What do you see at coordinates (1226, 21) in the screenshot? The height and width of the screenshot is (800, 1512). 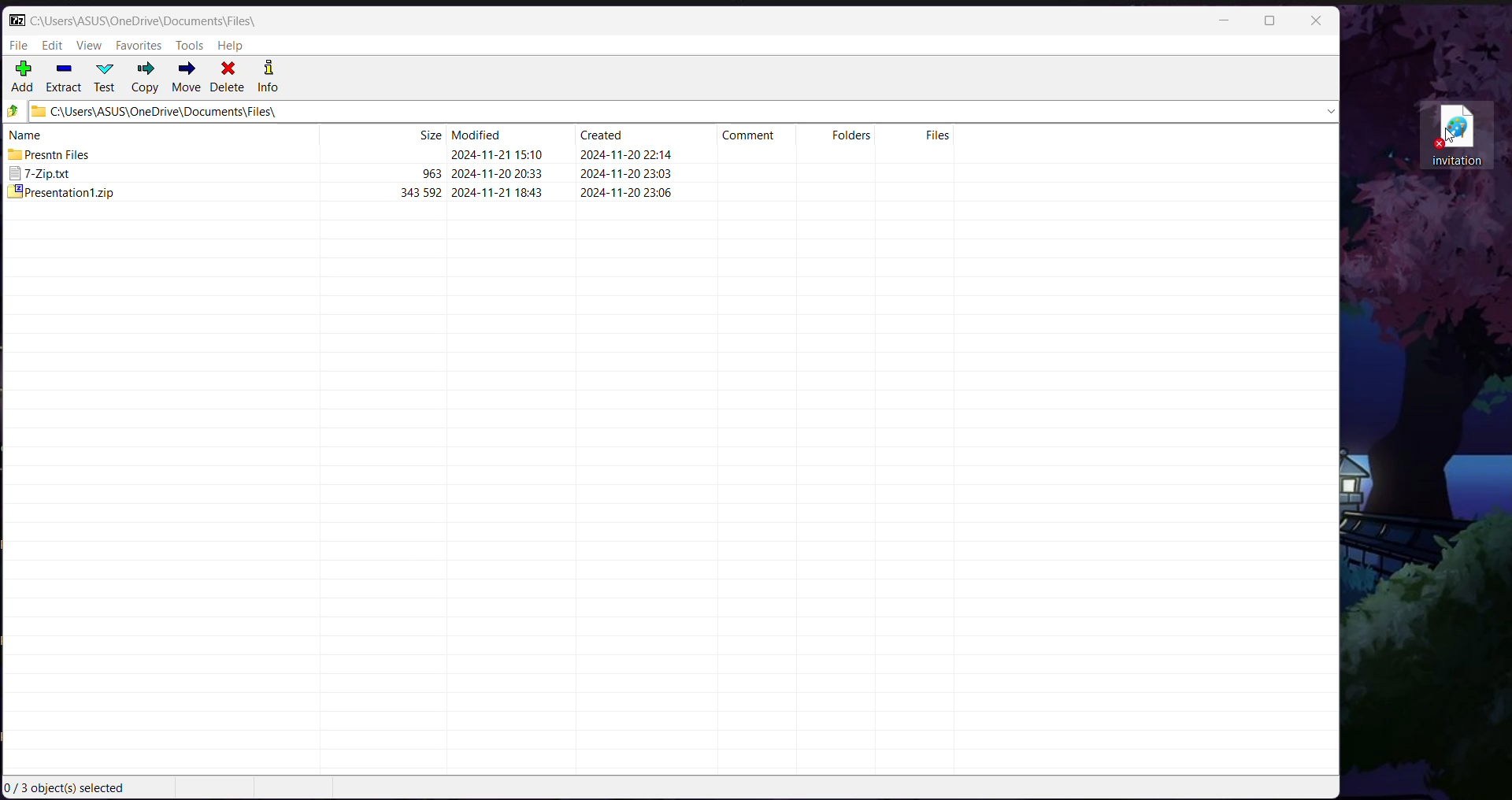 I see `Minimize` at bounding box center [1226, 21].